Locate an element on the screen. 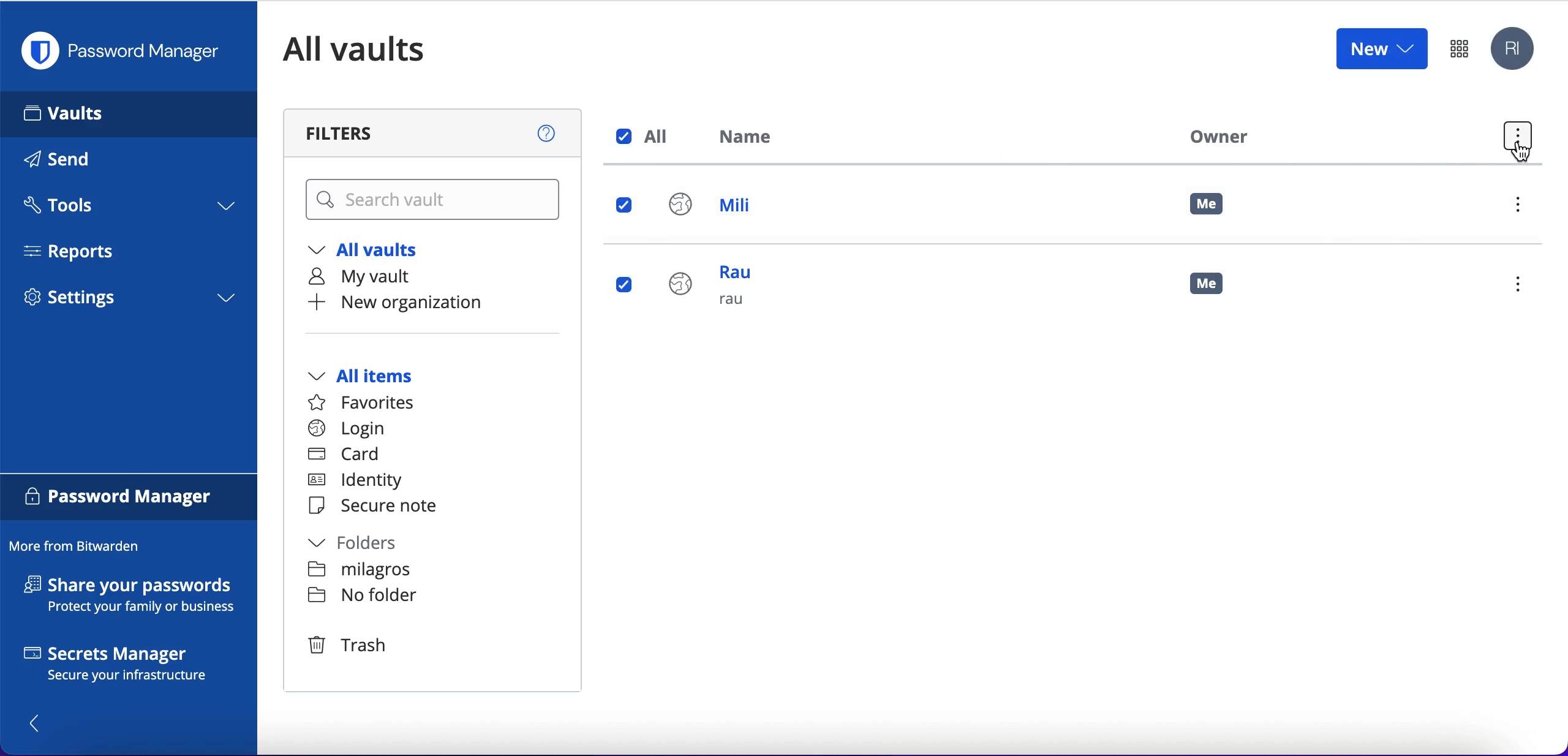  all vaults is located at coordinates (372, 49).